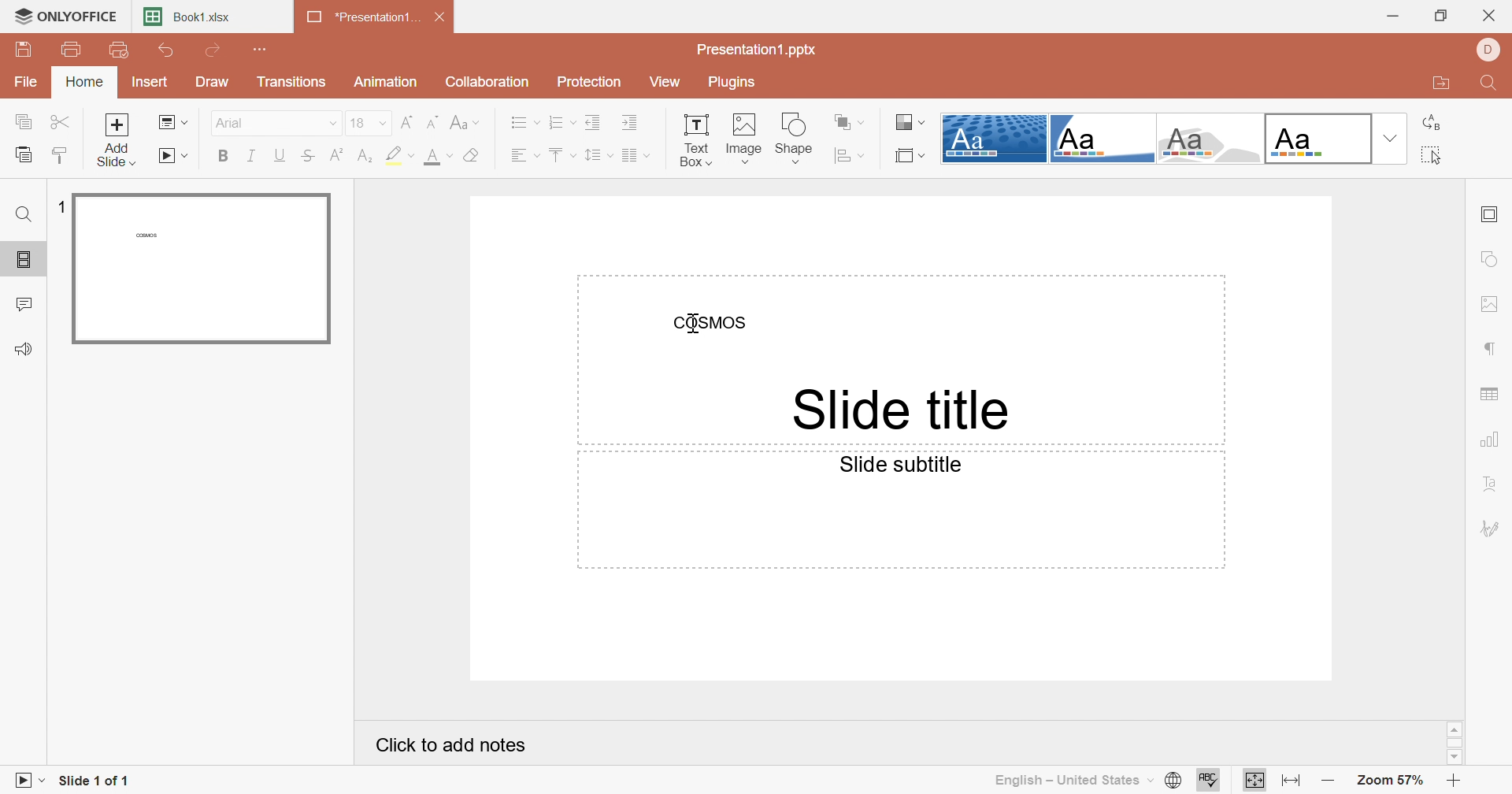 This screenshot has height=794, width=1512. Describe the element at coordinates (147, 84) in the screenshot. I see `Insert` at that location.